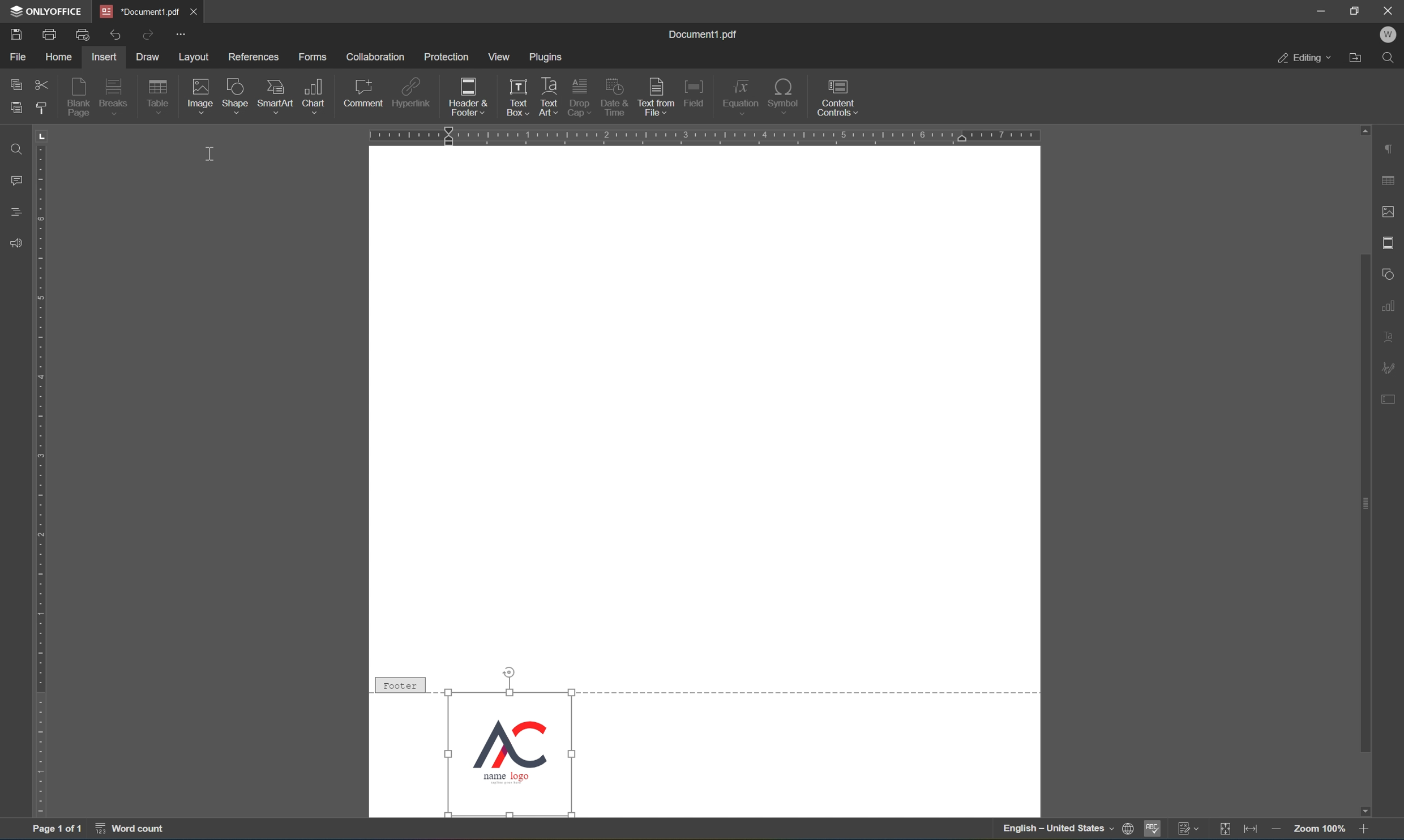  I want to click on file, so click(14, 57).